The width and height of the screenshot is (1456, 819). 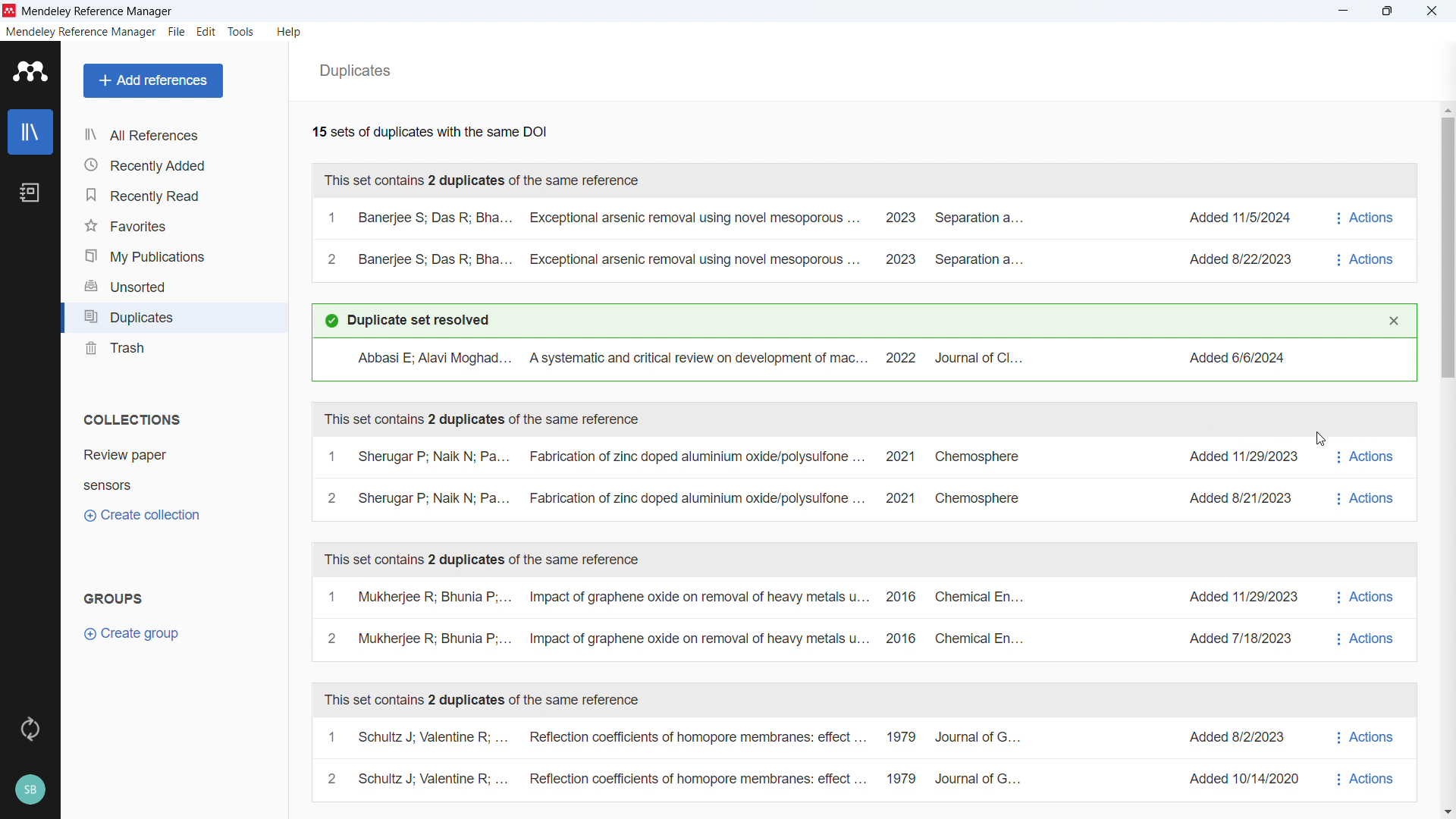 What do you see at coordinates (130, 420) in the screenshot?
I see `Collections ` at bounding box center [130, 420].